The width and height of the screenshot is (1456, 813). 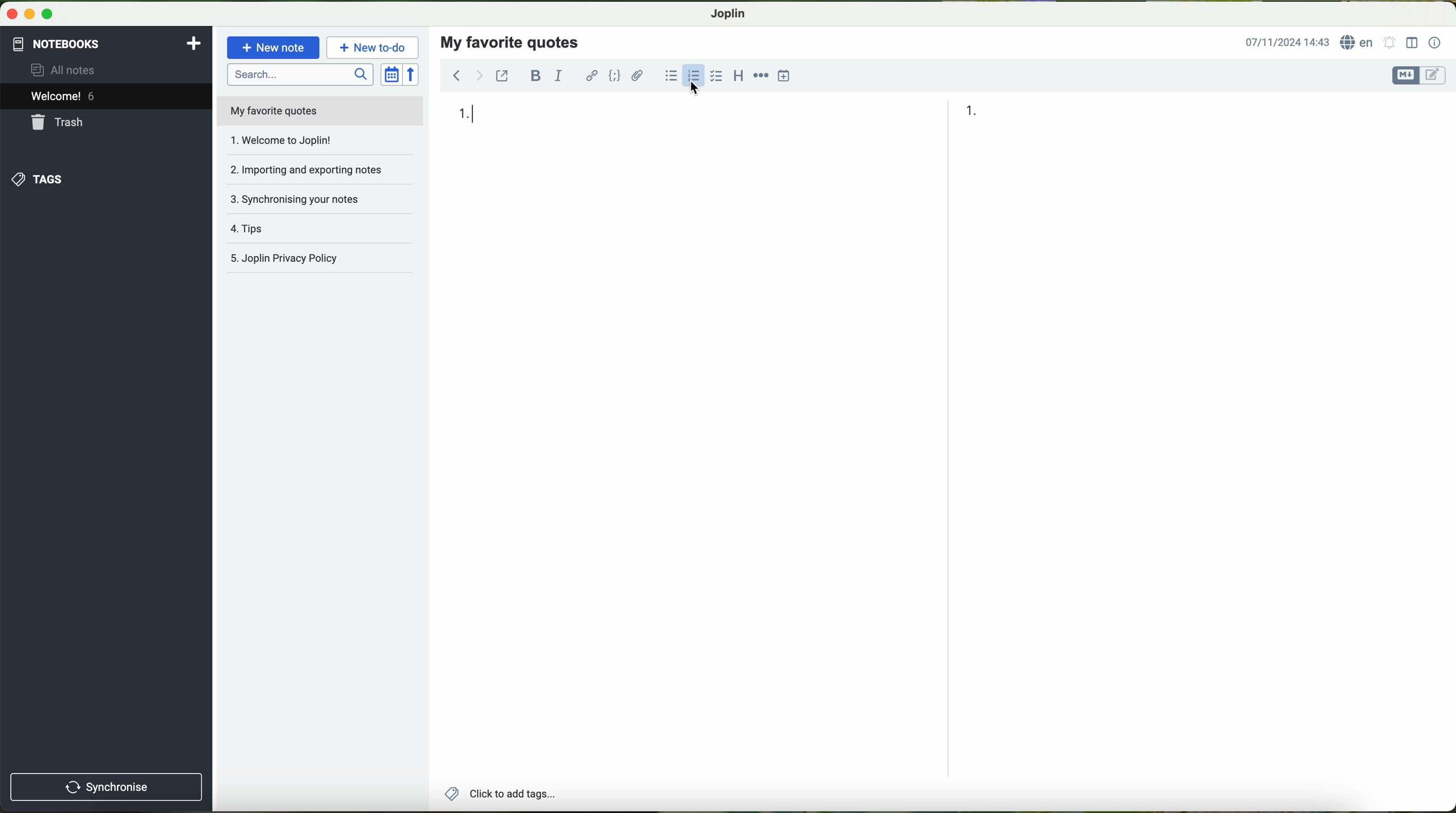 I want to click on synchronising your notes, so click(x=318, y=198).